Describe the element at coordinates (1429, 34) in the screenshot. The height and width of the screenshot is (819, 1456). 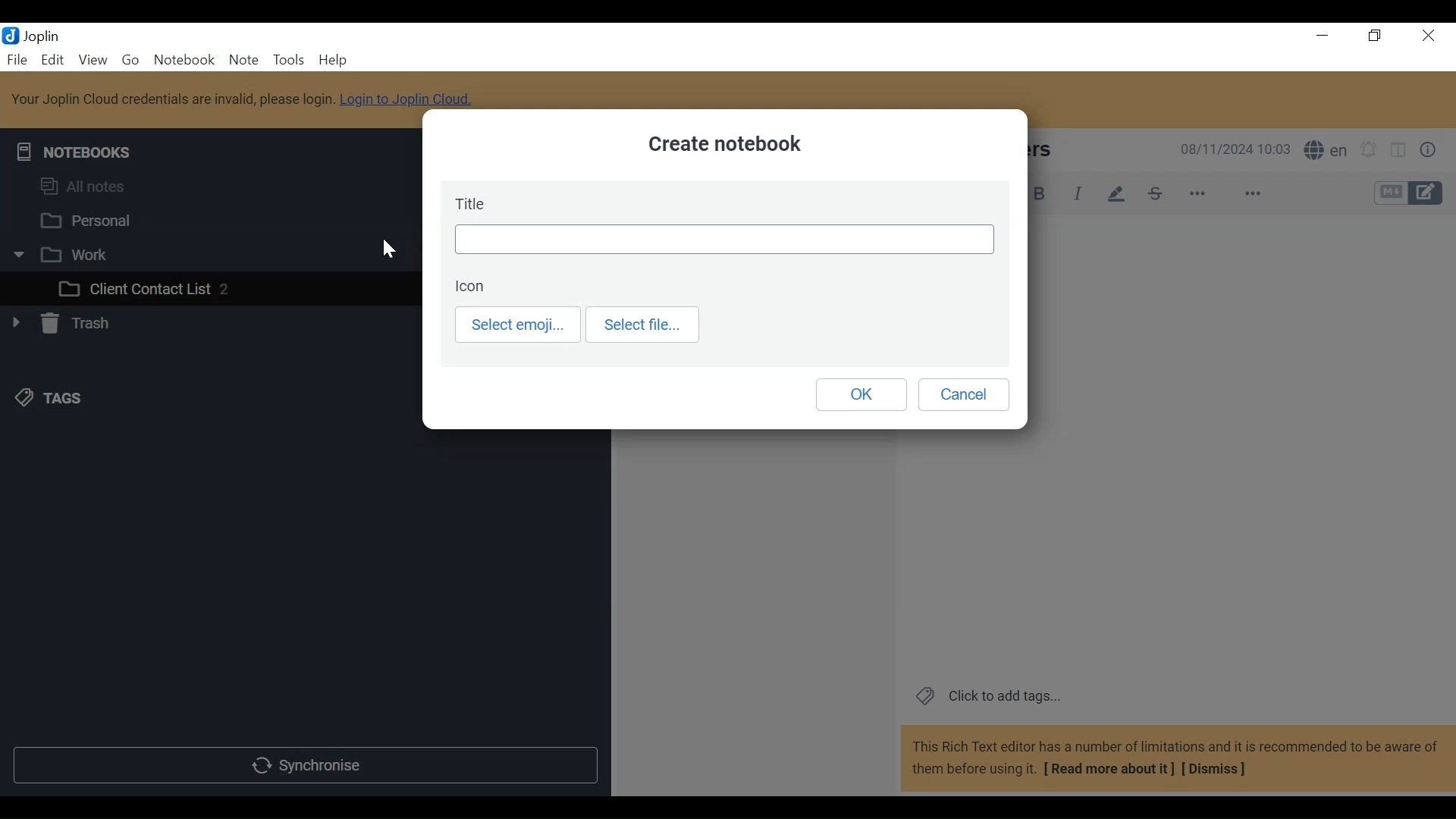
I see `Close` at that location.